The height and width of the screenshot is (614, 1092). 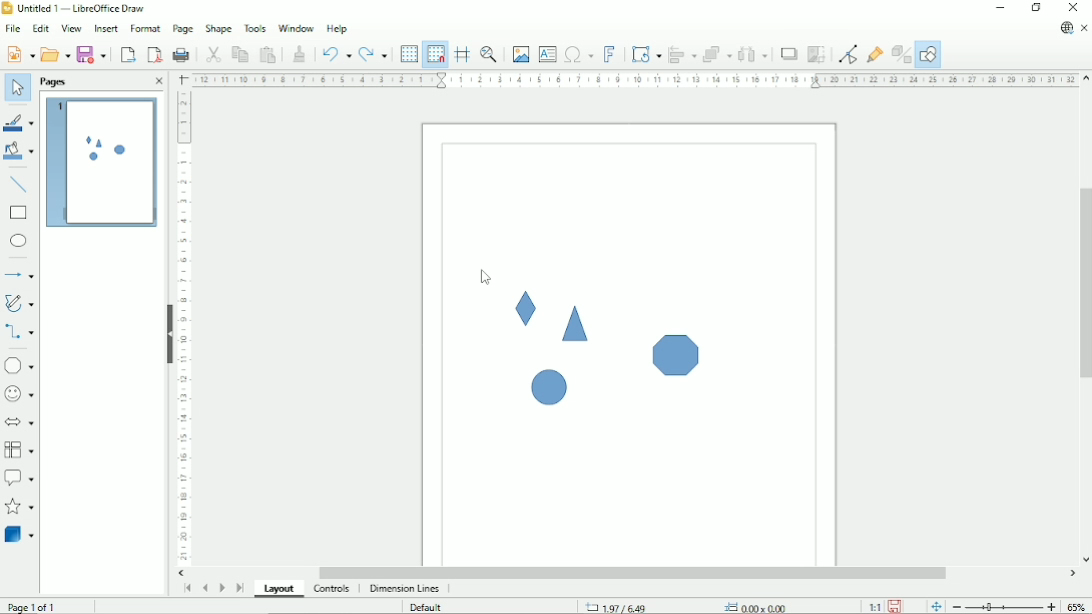 What do you see at coordinates (646, 54) in the screenshot?
I see `Transformation` at bounding box center [646, 54].